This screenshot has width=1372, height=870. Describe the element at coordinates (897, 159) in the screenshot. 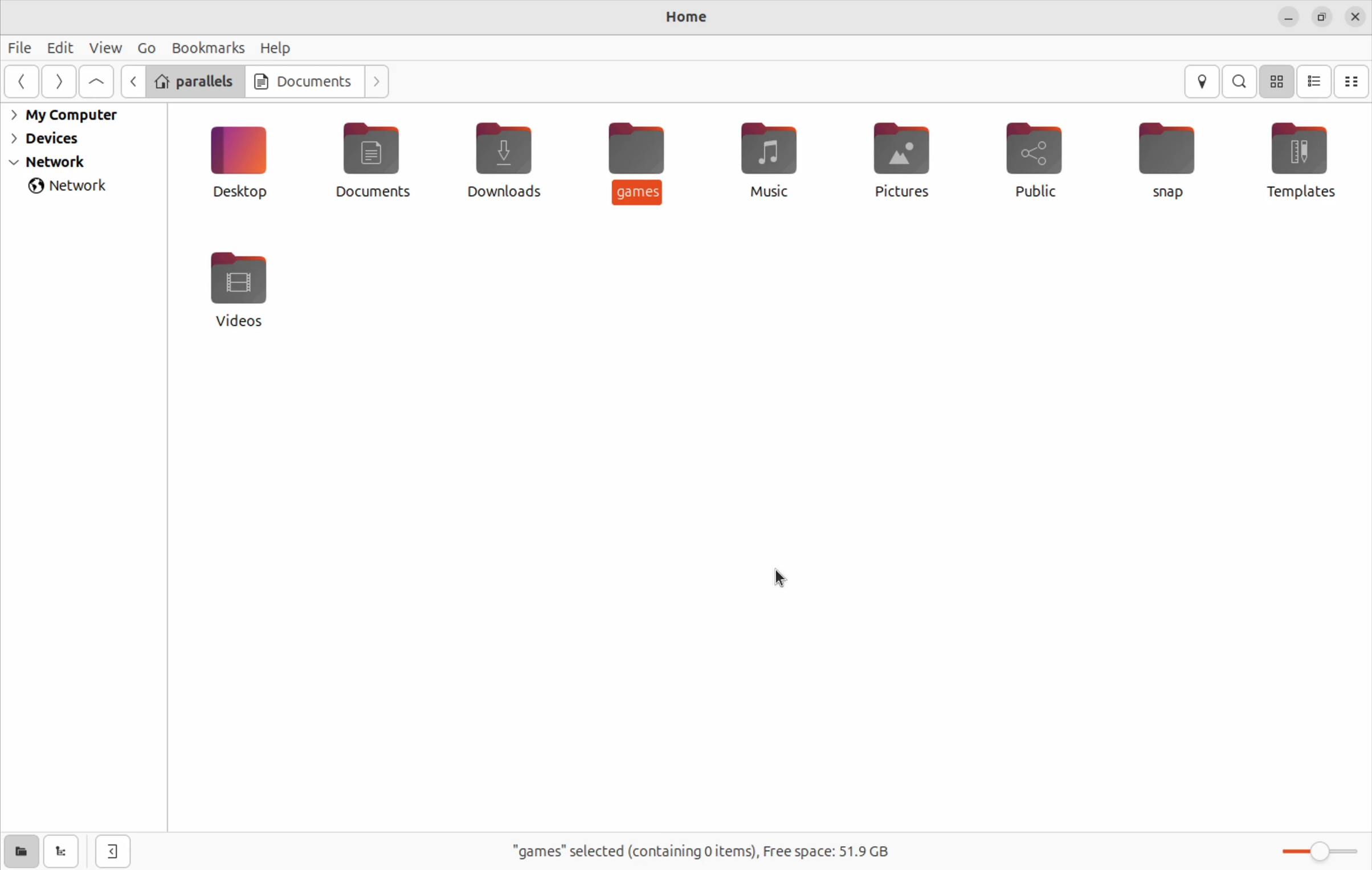

I see `pictures file` at that location.